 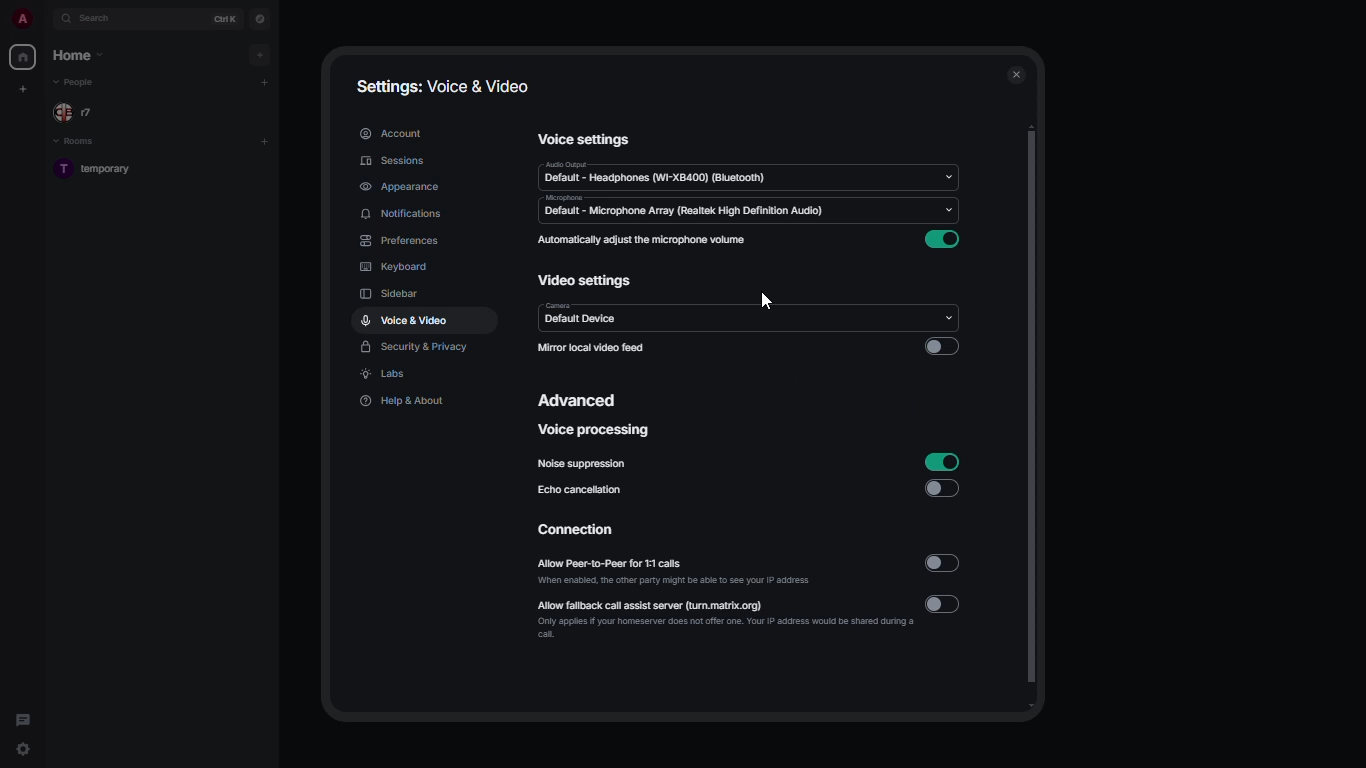 What do you see at coordinates (396, 161) in the screenshot?
I see `sessions` at bounding box center [396, 161].